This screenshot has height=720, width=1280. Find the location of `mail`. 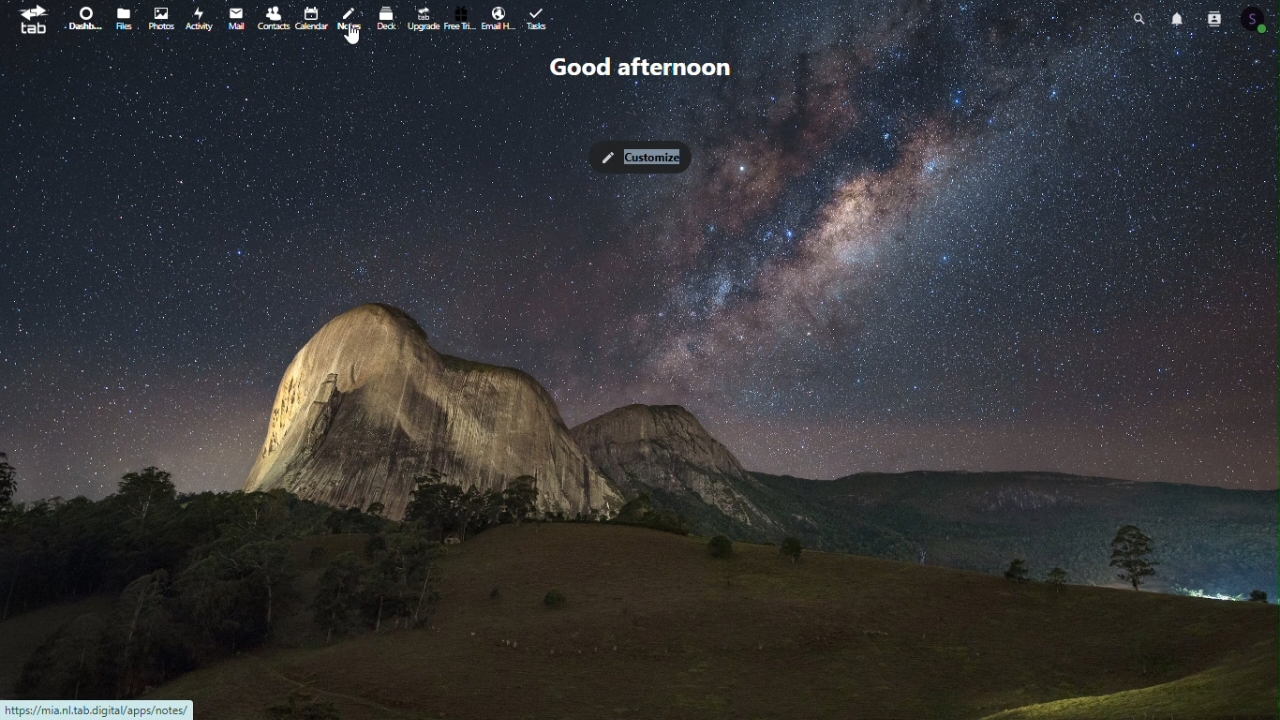

mail is located at coordinates (236, 15).